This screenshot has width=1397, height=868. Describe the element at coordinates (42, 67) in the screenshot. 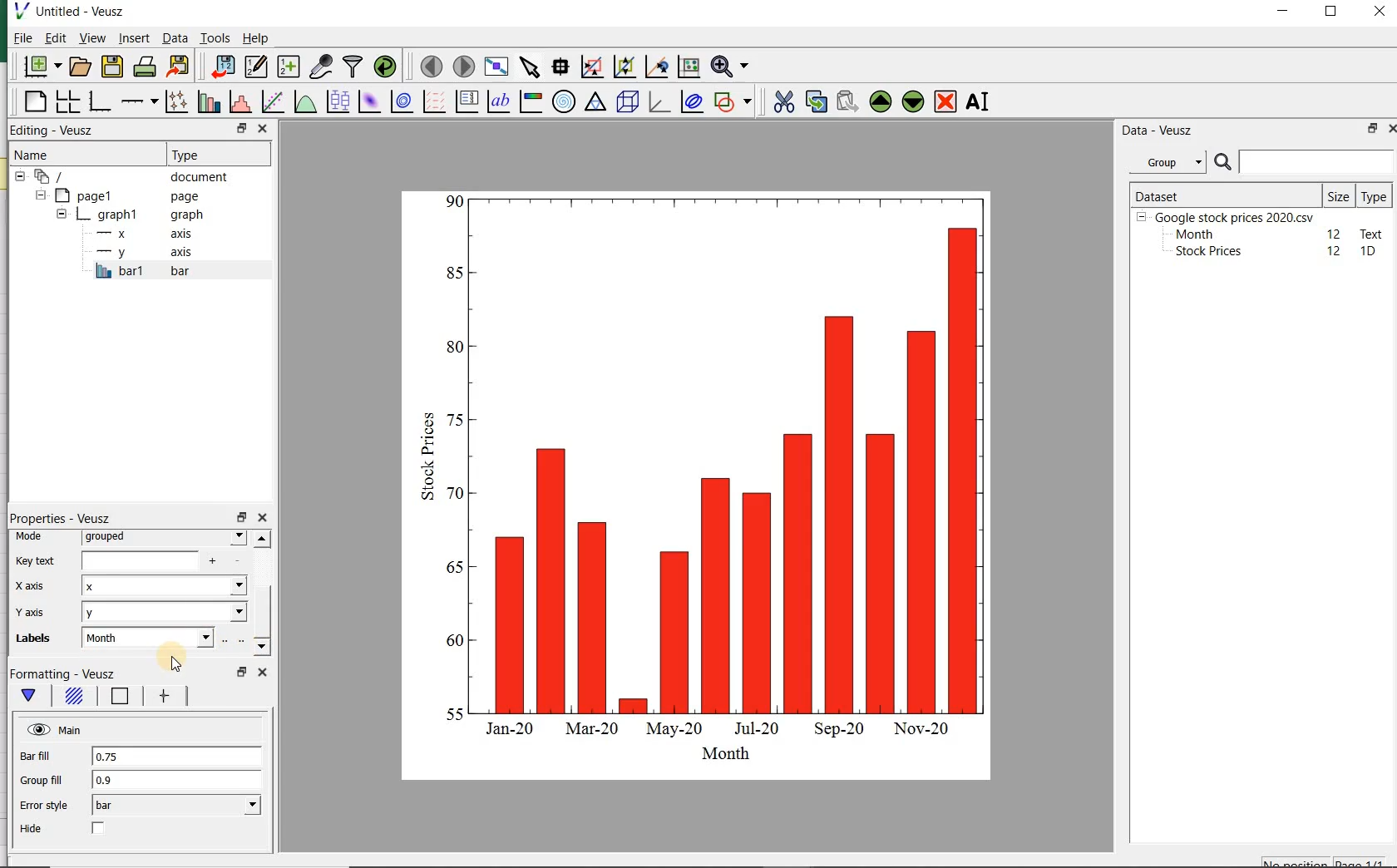

I see `new document` at that location.